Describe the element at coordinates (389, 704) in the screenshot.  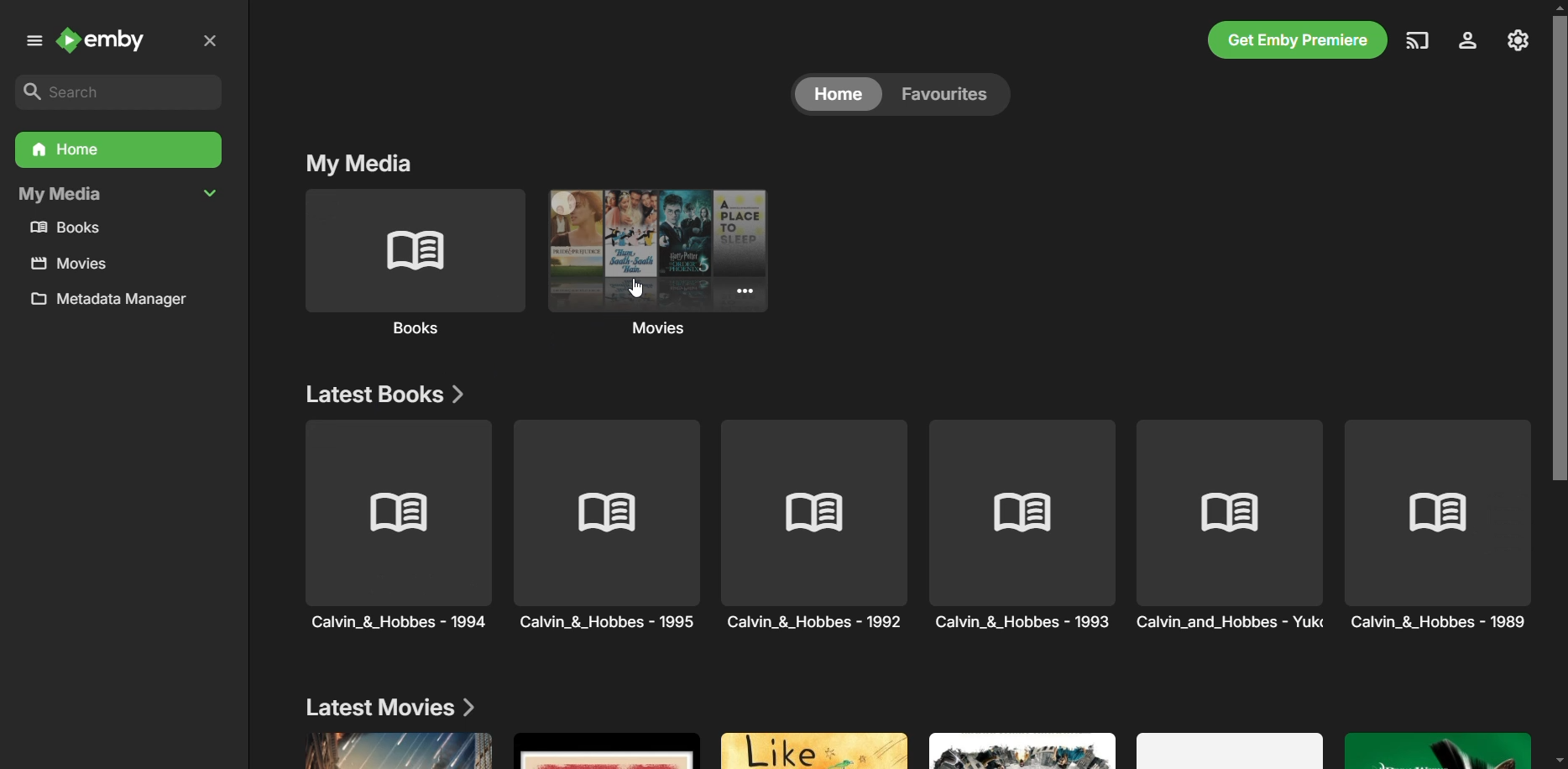
I see `Latest Movies` at that location.